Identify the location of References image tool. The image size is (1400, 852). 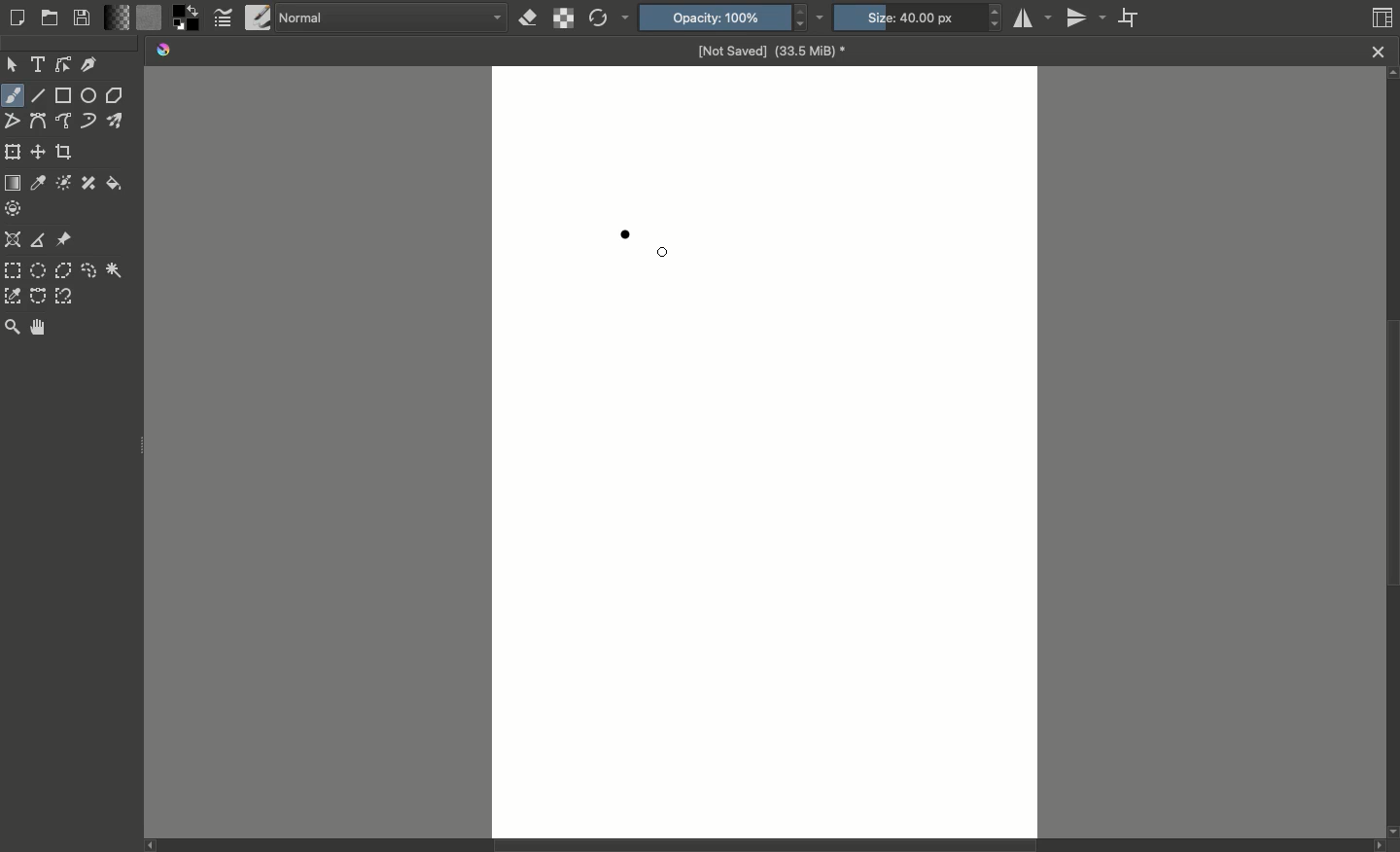
(65, 239).